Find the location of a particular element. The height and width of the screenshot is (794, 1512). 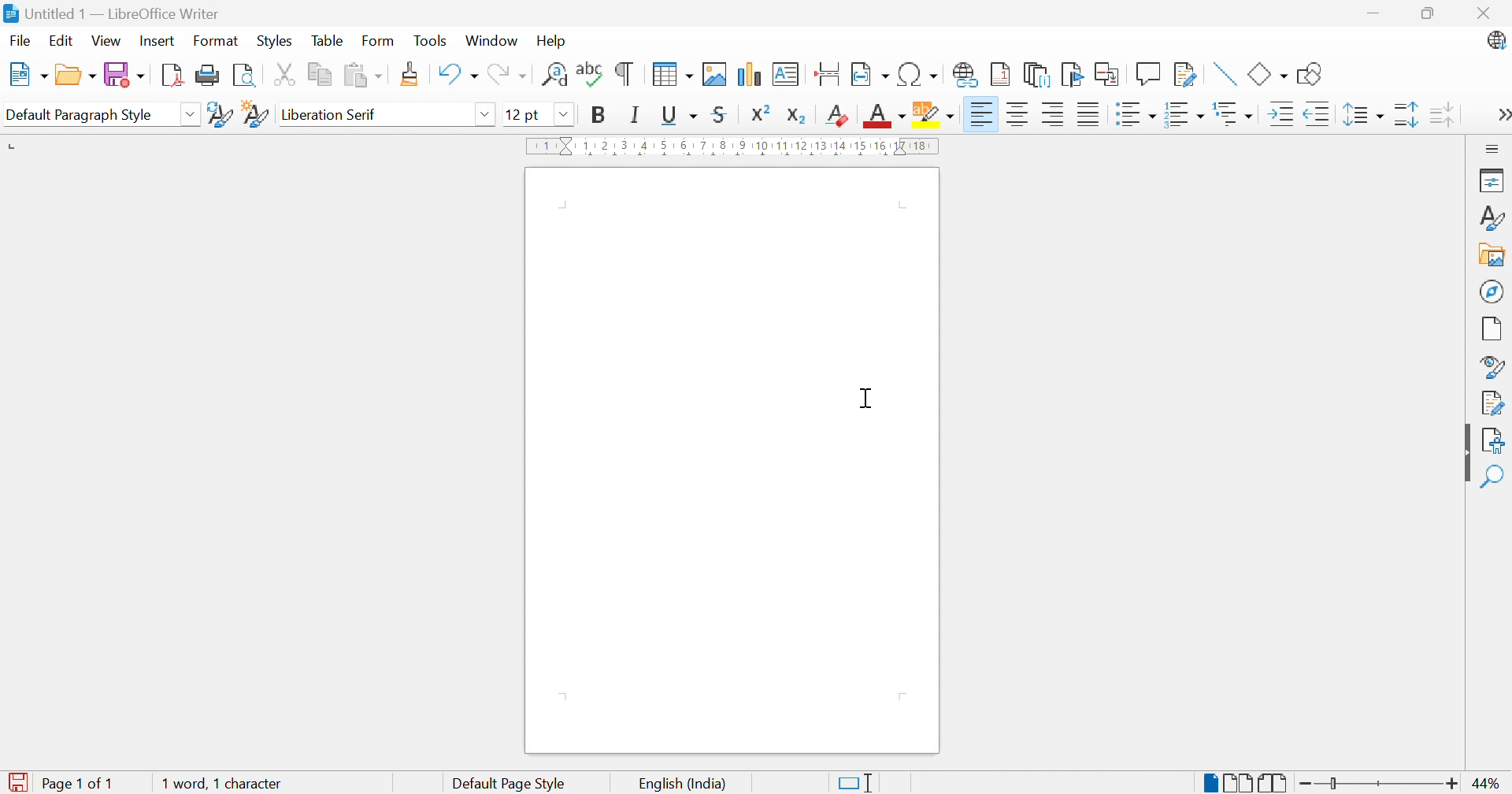

Clear direct formatting is located at coordinates (837, 118).